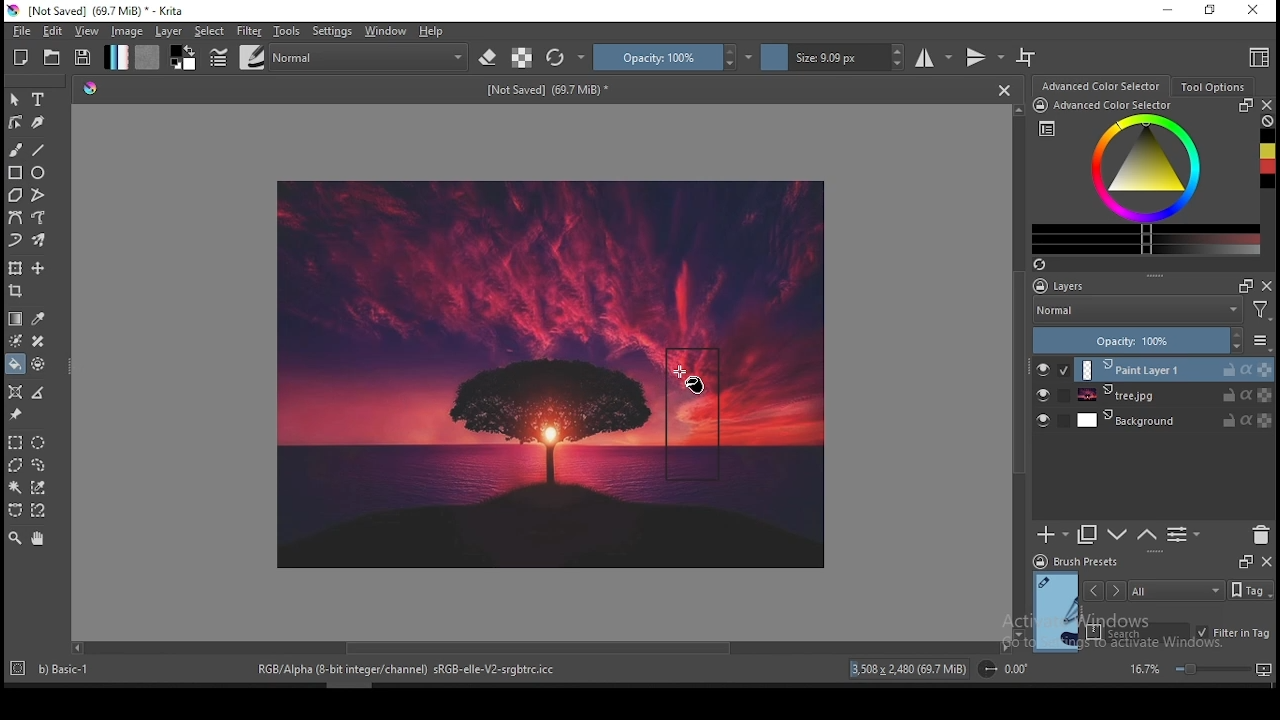 This screenshot has width=1280, height=720. I want to click on text, so click(550, 89).